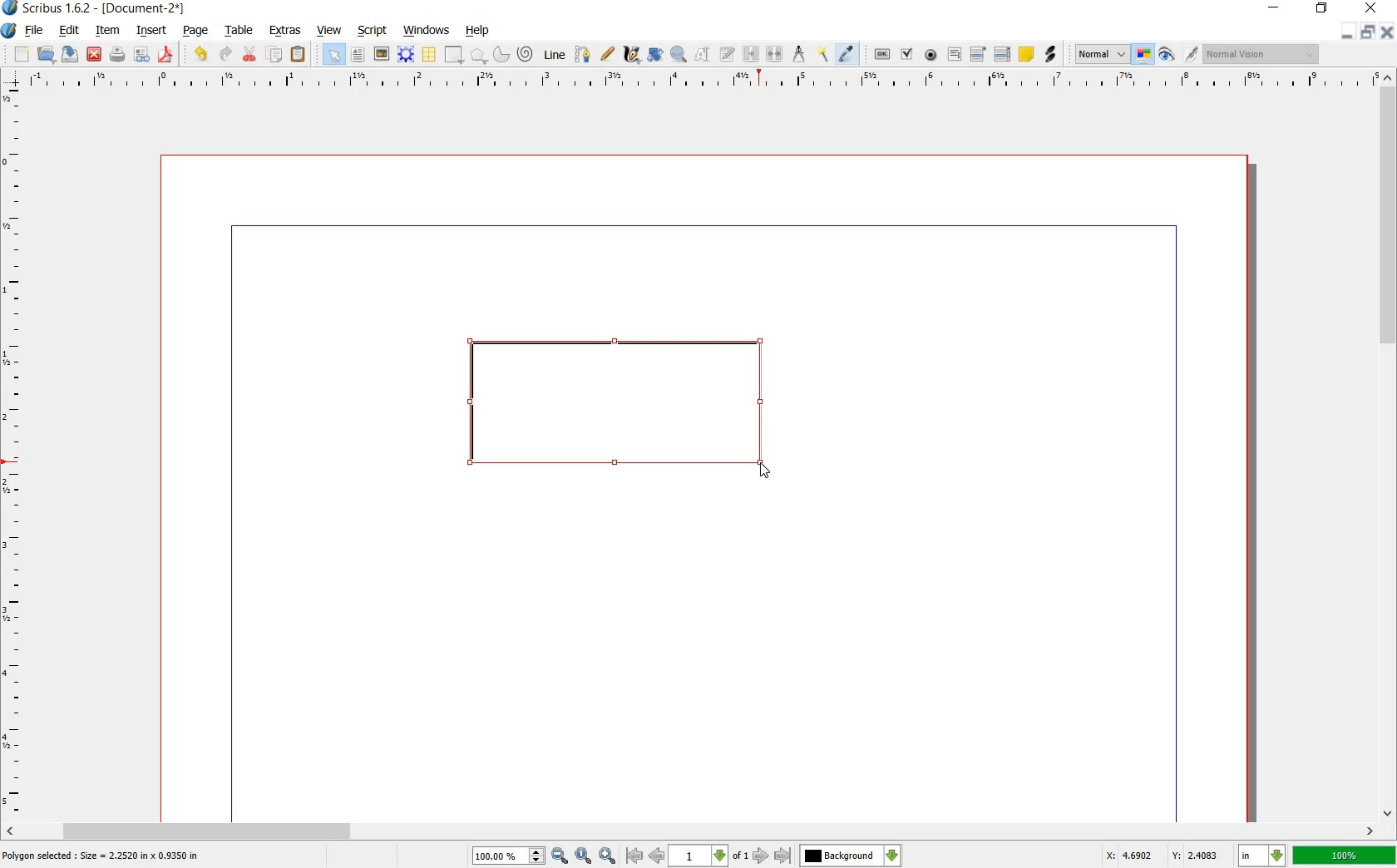 The height and width of the screenshot is (868, 1397). Describe the element at coordinates (10, 29) in the screenshot. I see `SYSTEM LOGO` at that location.